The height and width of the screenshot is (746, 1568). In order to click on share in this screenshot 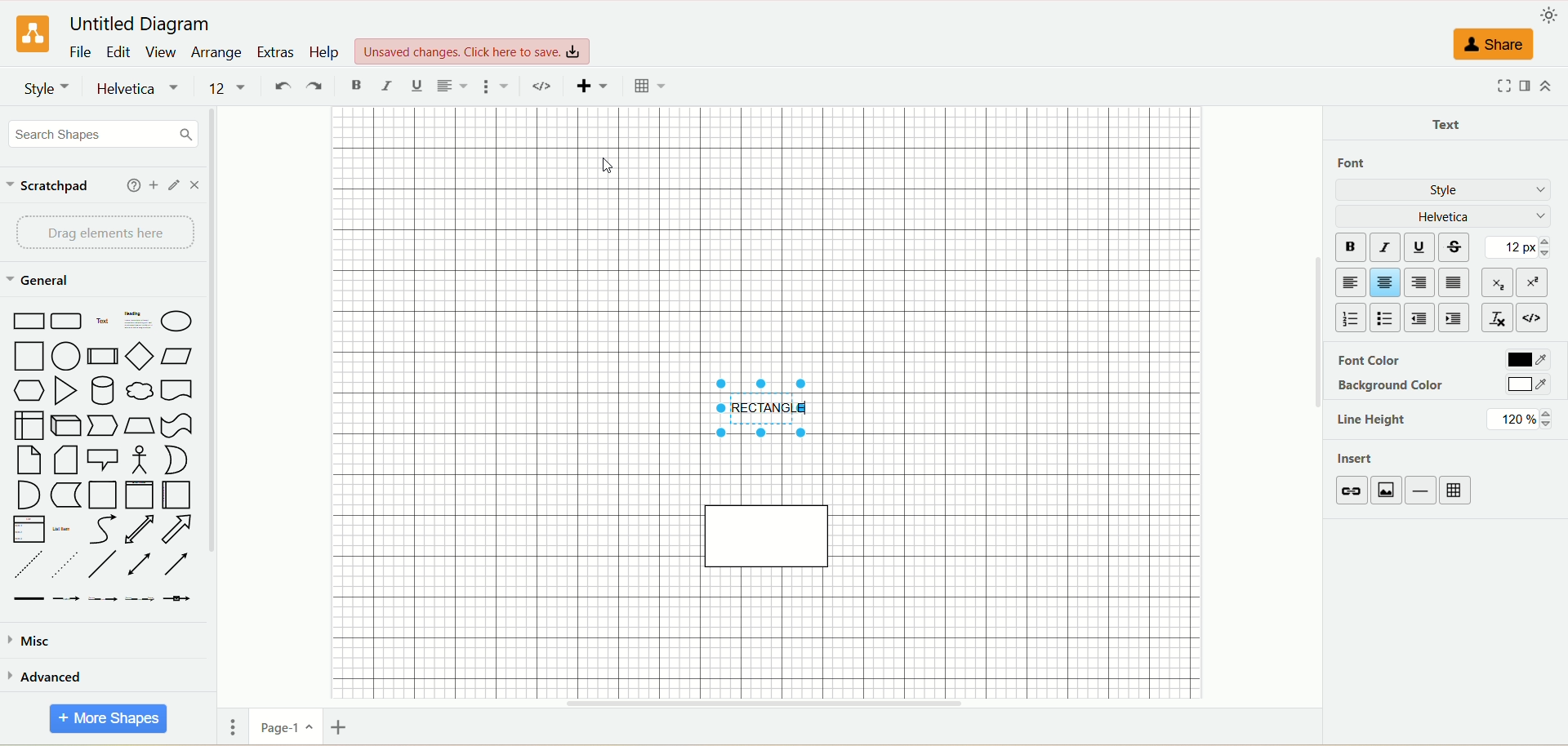, I will do `click(1492, 46)`.